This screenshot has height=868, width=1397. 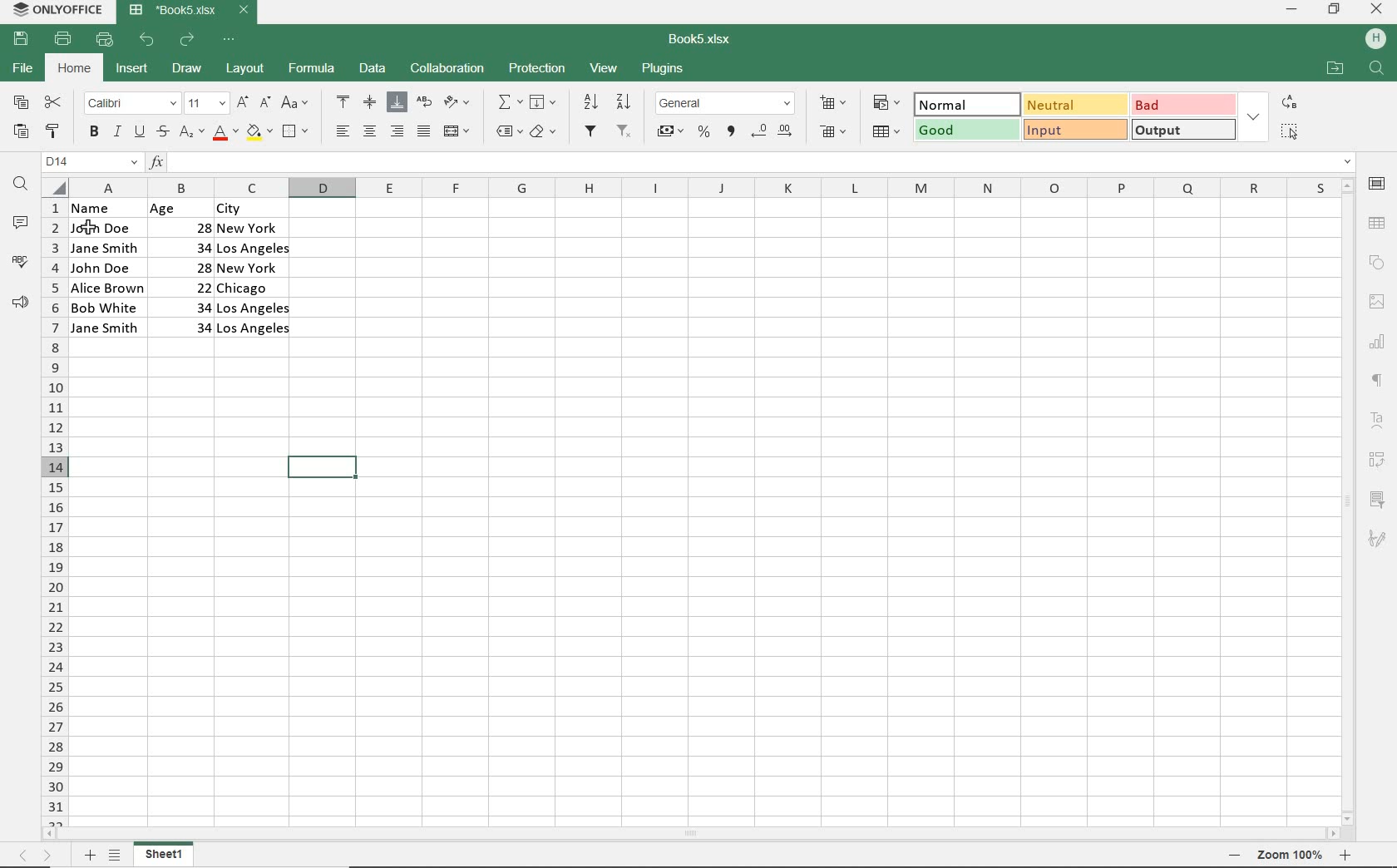 I want to click on ALIGN CENTER, so click(x=368, y=132).